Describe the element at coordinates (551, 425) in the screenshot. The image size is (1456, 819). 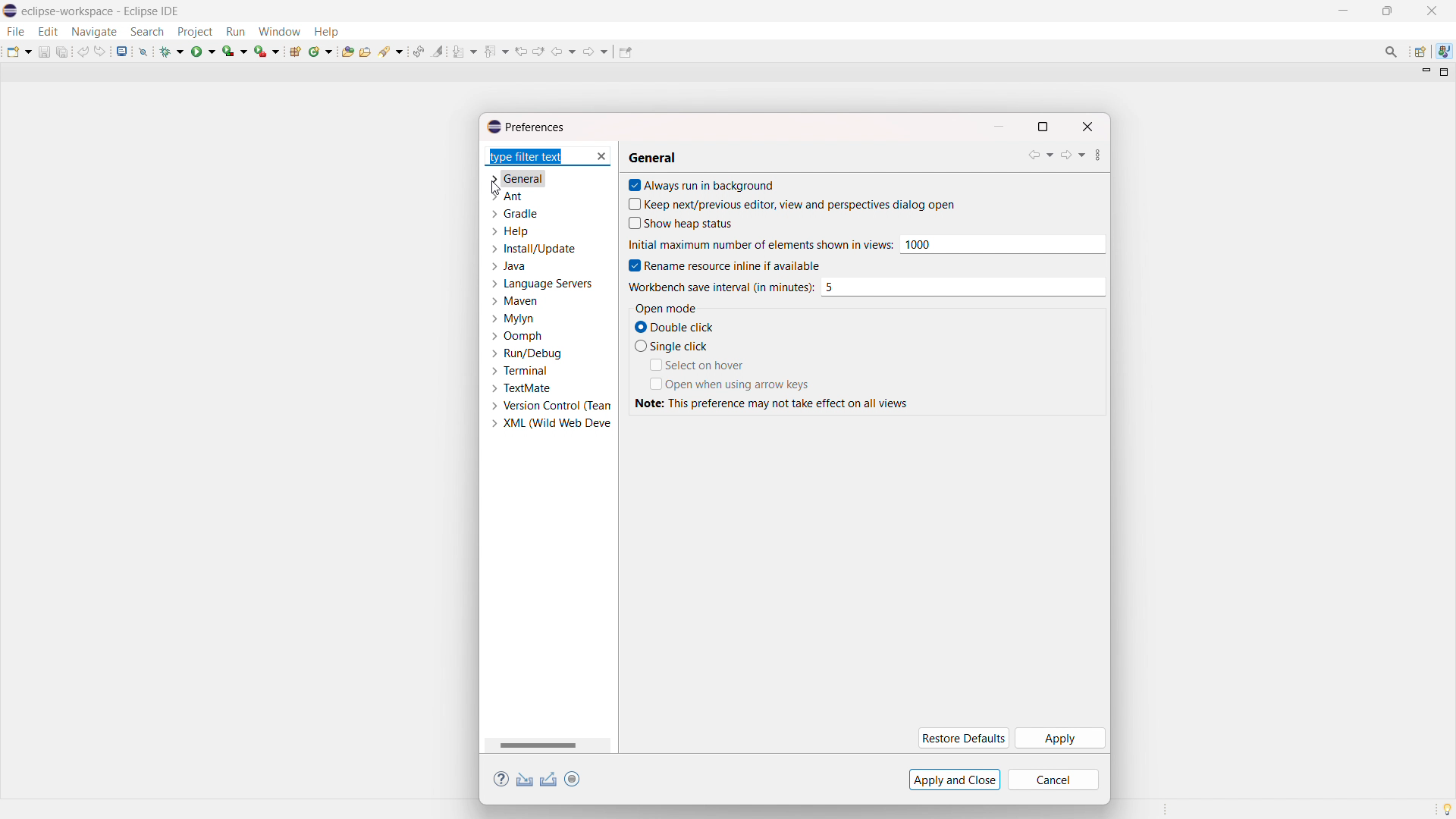
I see `XML` at that location.